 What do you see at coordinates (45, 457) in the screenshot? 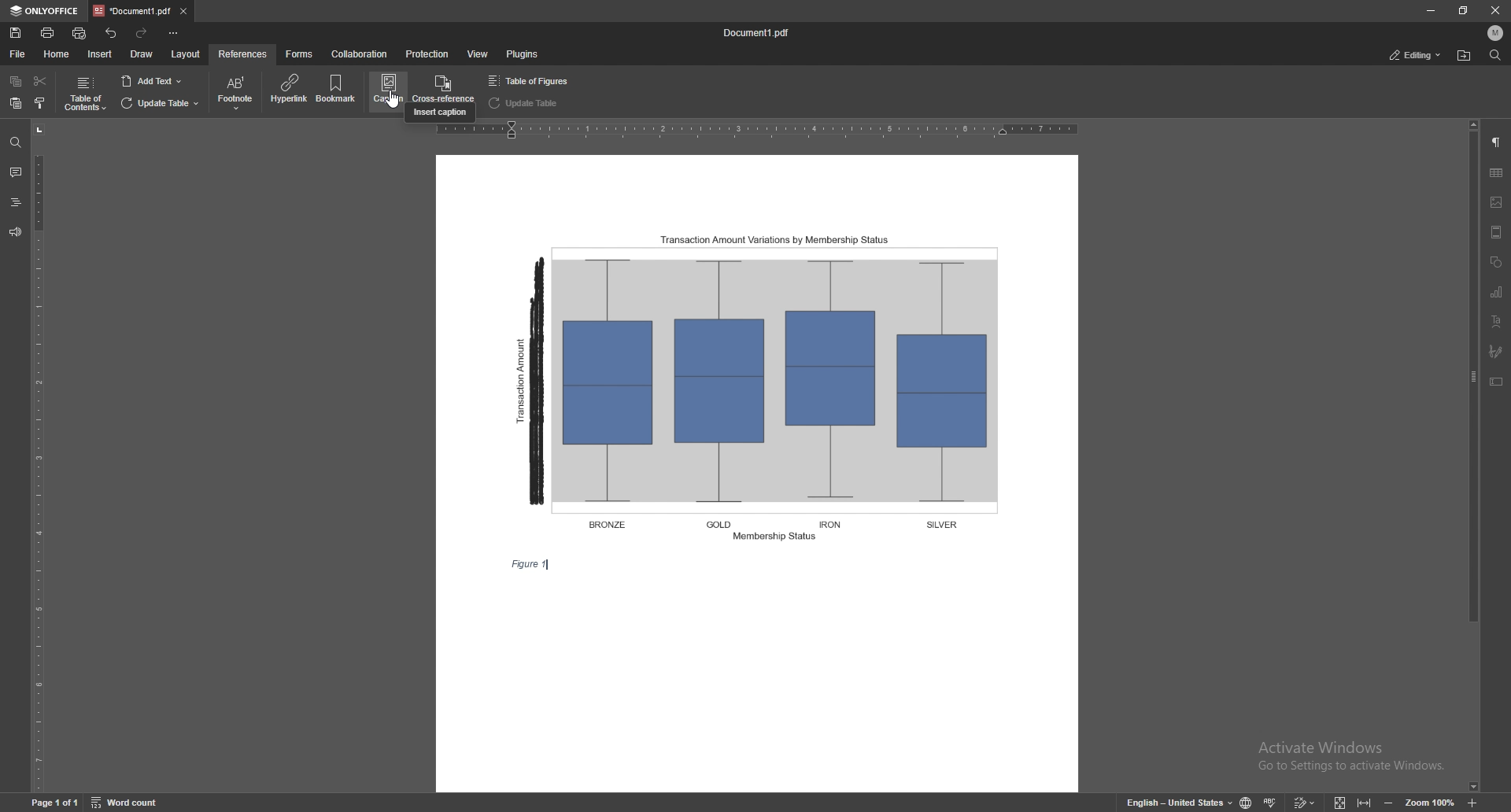
I see `vertical scale` at bounding box center [45, 457].